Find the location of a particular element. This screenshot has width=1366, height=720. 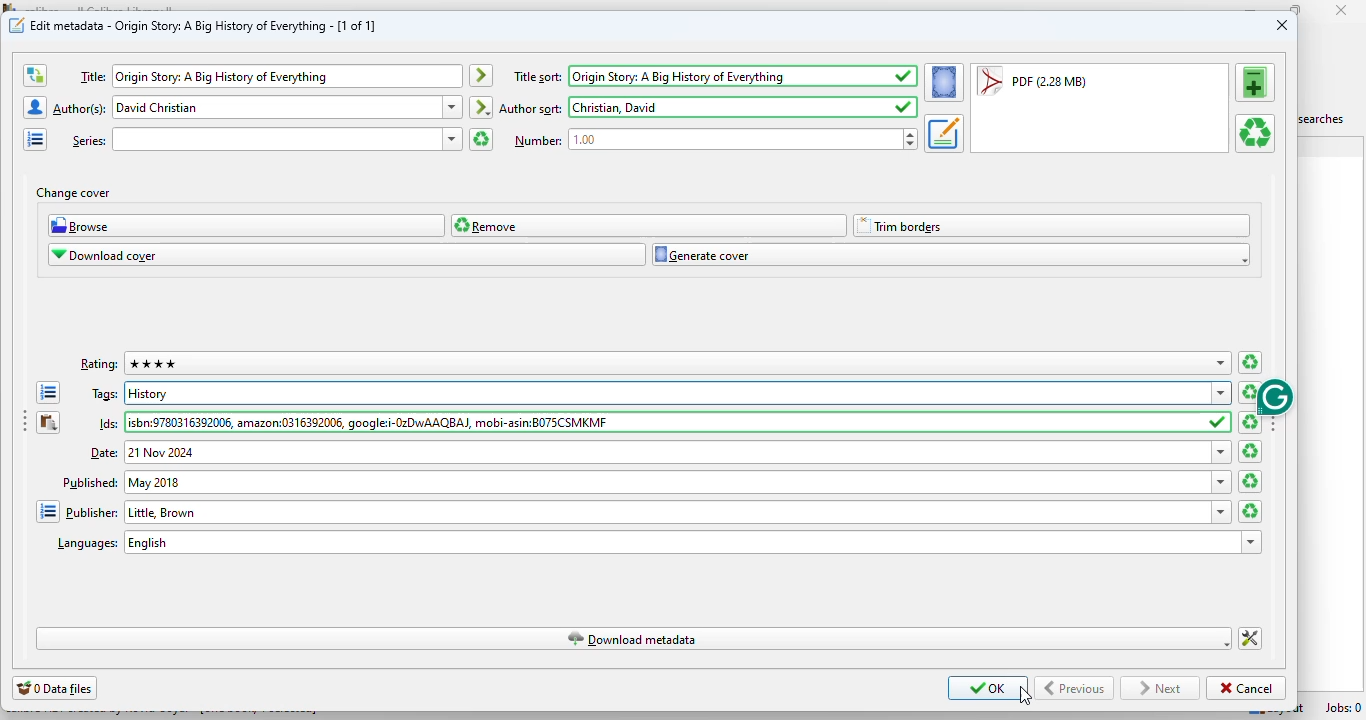

Previous is located at coordinates (1075, 688).